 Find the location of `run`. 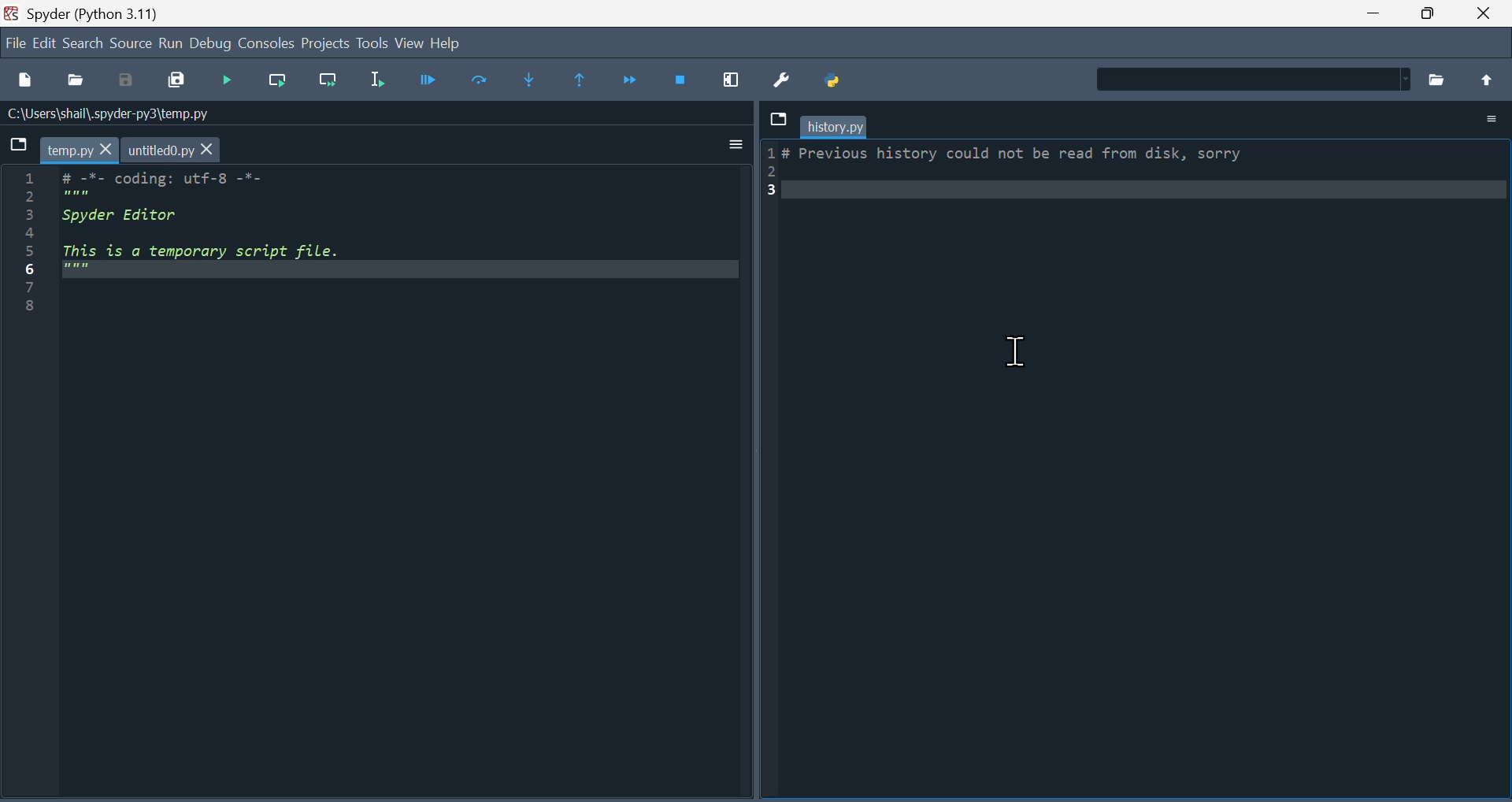

run is located at coordinates (170, 42).